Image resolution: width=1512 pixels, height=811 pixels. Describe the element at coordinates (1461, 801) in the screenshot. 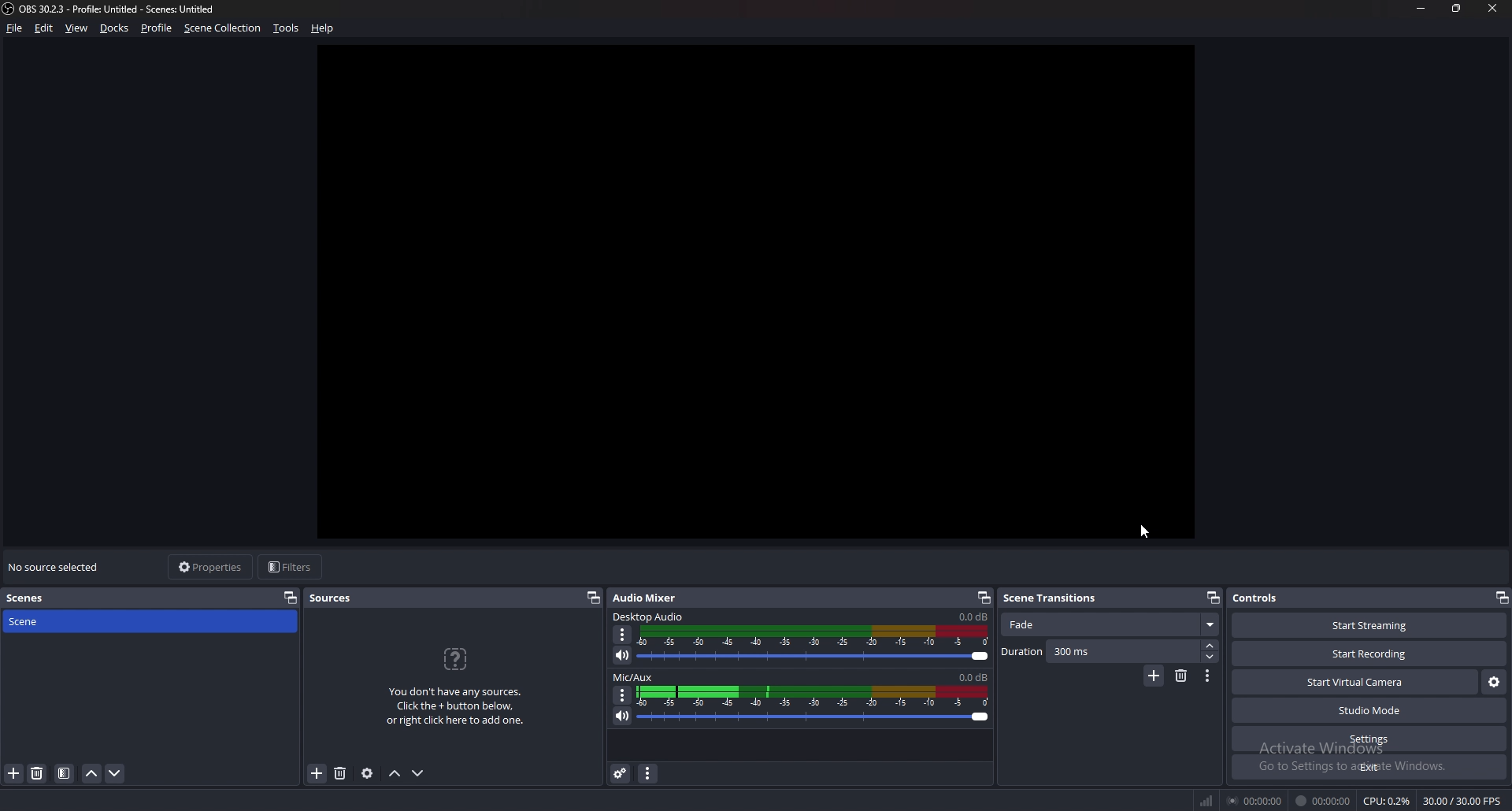

I see `30.00 / 30.00 FPS` at that location.